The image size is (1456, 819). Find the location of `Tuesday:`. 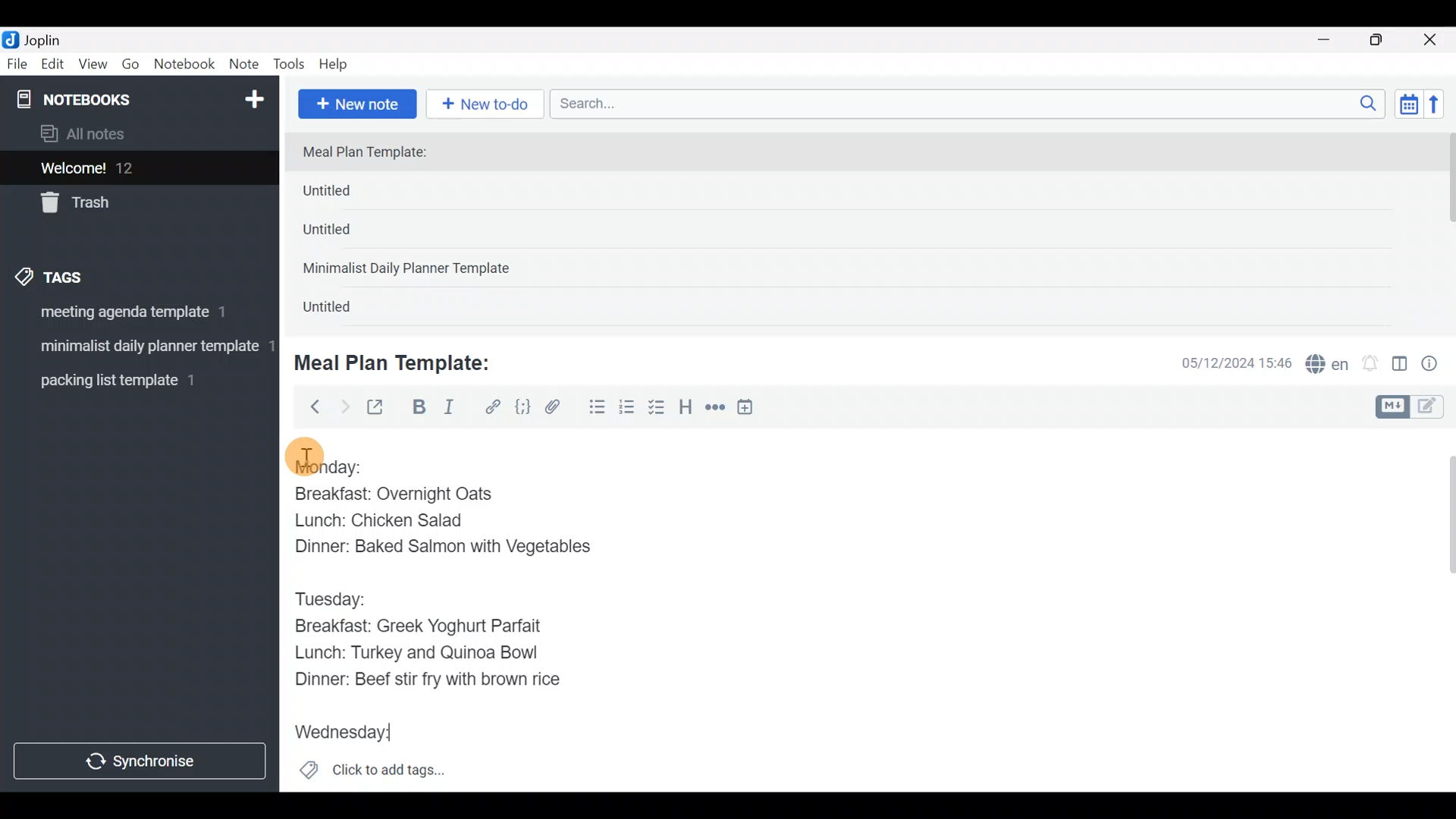

Tuesday: is located at coordinates (335, 596).